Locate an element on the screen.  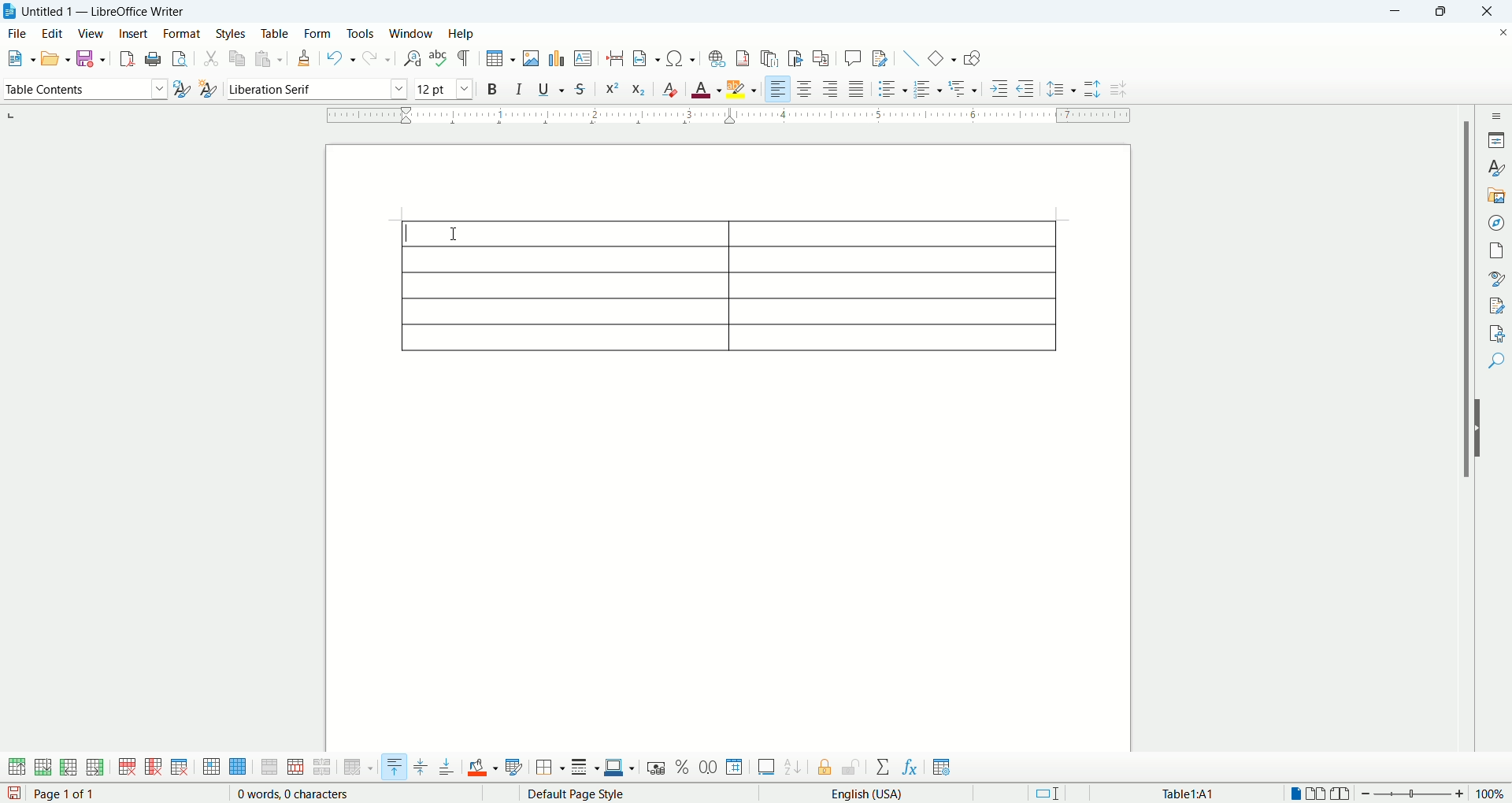
increase paragraph spacing is located at coordinates (1091, 89).